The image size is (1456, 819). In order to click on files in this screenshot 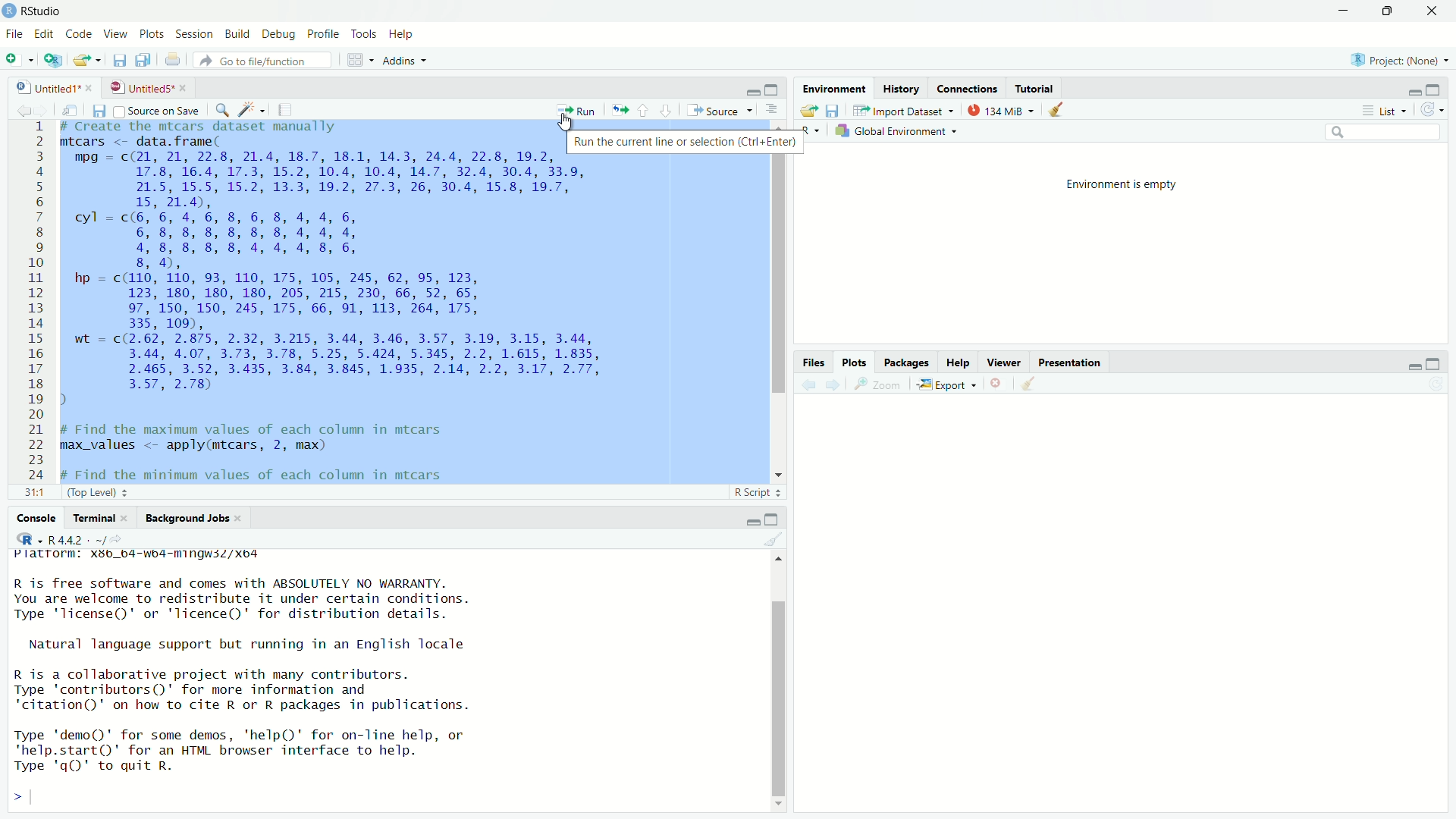, I will do `click(103, 112)`.